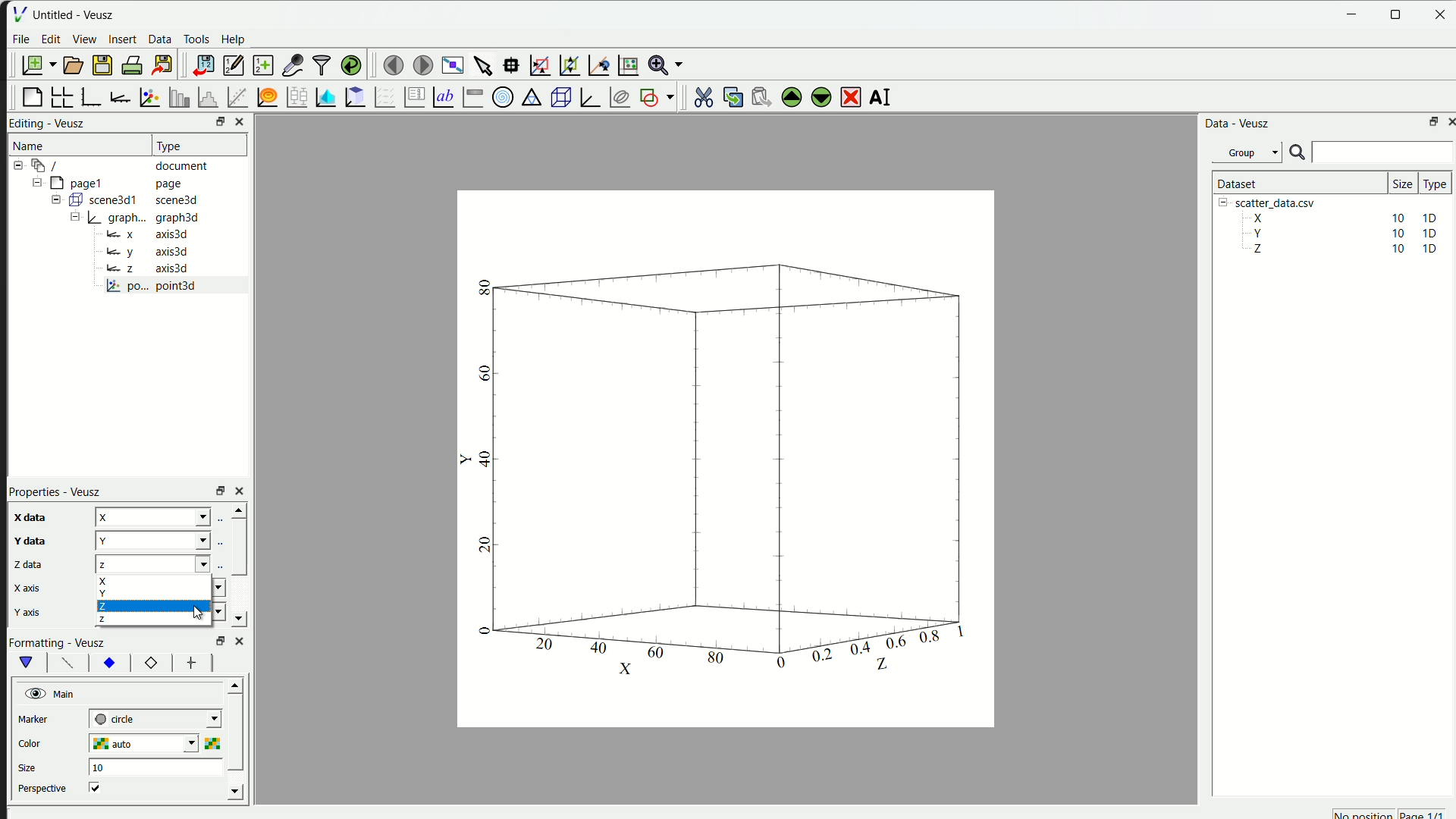 The height and width of the screenshot is (819, 1456). Describe the element at coordinates (31, 538) in the screenshot. I see `y data` at that location.